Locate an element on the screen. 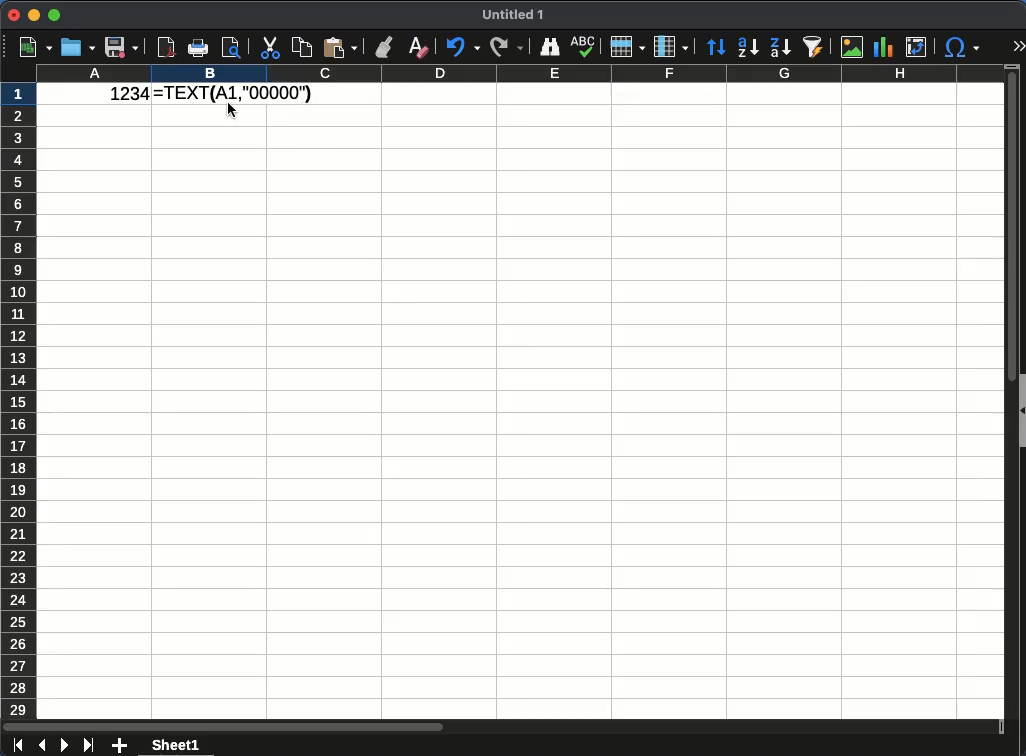 The image size is (1026, 756). spell check is located at coordinates (584, 47).